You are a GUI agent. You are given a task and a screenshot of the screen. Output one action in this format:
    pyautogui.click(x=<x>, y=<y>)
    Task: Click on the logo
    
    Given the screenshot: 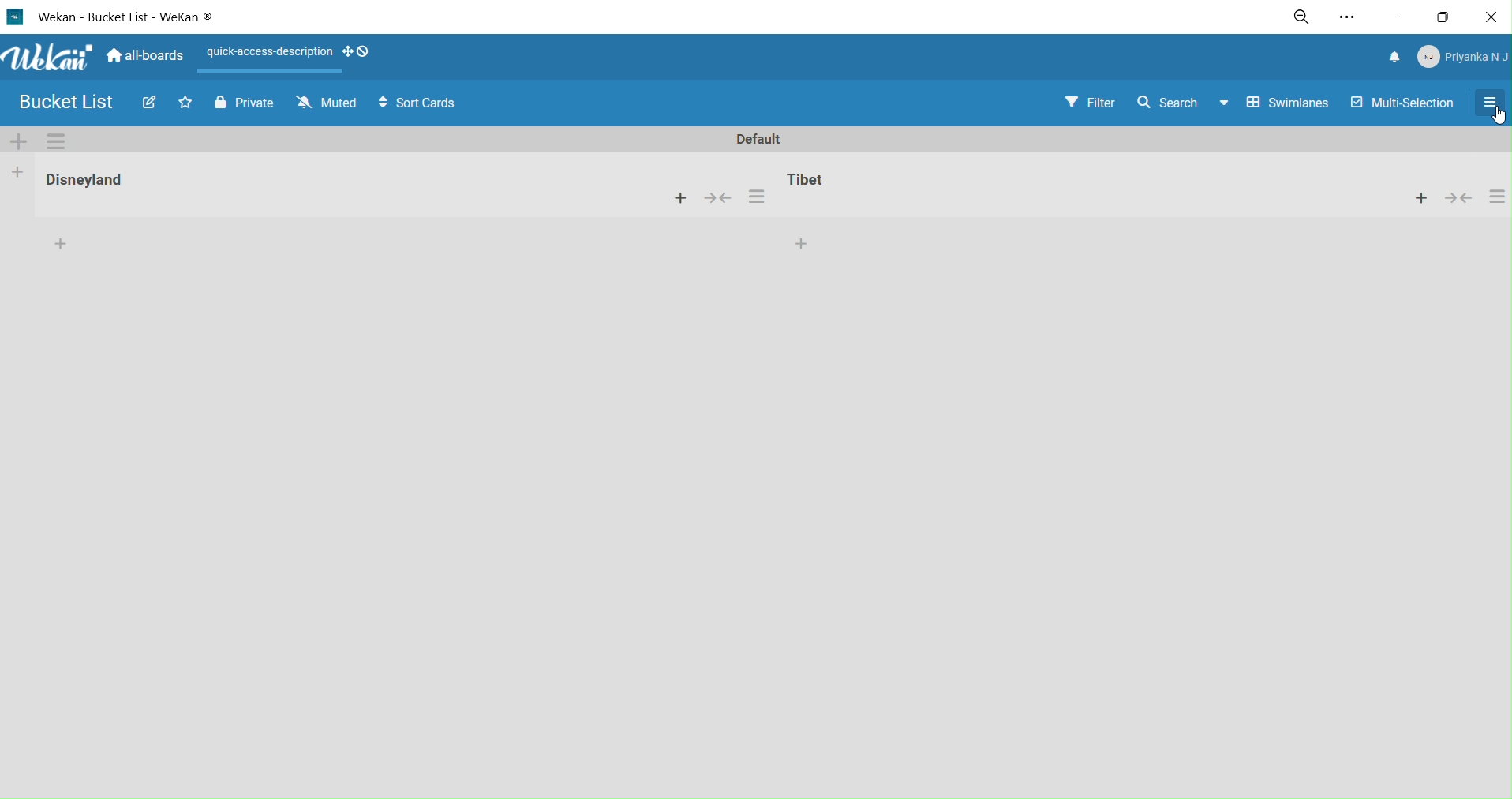 What is the action you would take?
    pyautogui.click(x=16, y=17)
    